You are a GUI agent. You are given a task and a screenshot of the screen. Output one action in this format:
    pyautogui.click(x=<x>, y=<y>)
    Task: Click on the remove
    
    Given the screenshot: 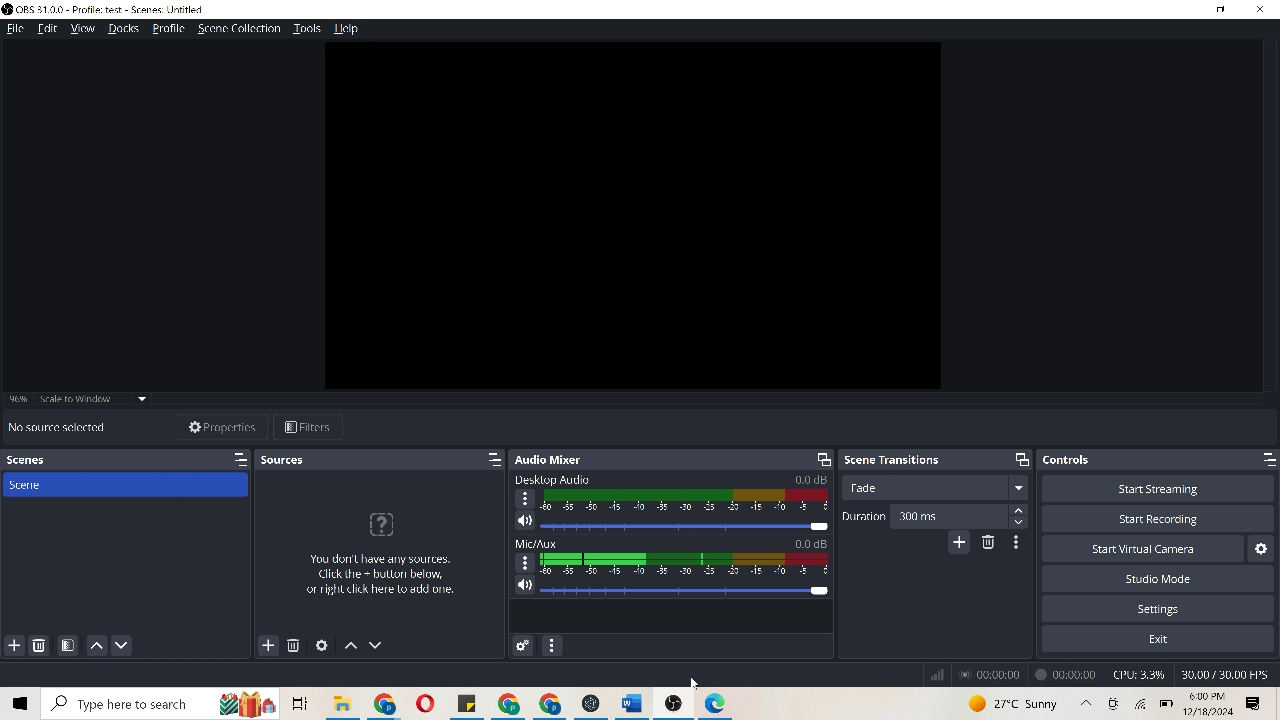 What is the action you would take?
    pyautogui.click(x=39, y=643)
    